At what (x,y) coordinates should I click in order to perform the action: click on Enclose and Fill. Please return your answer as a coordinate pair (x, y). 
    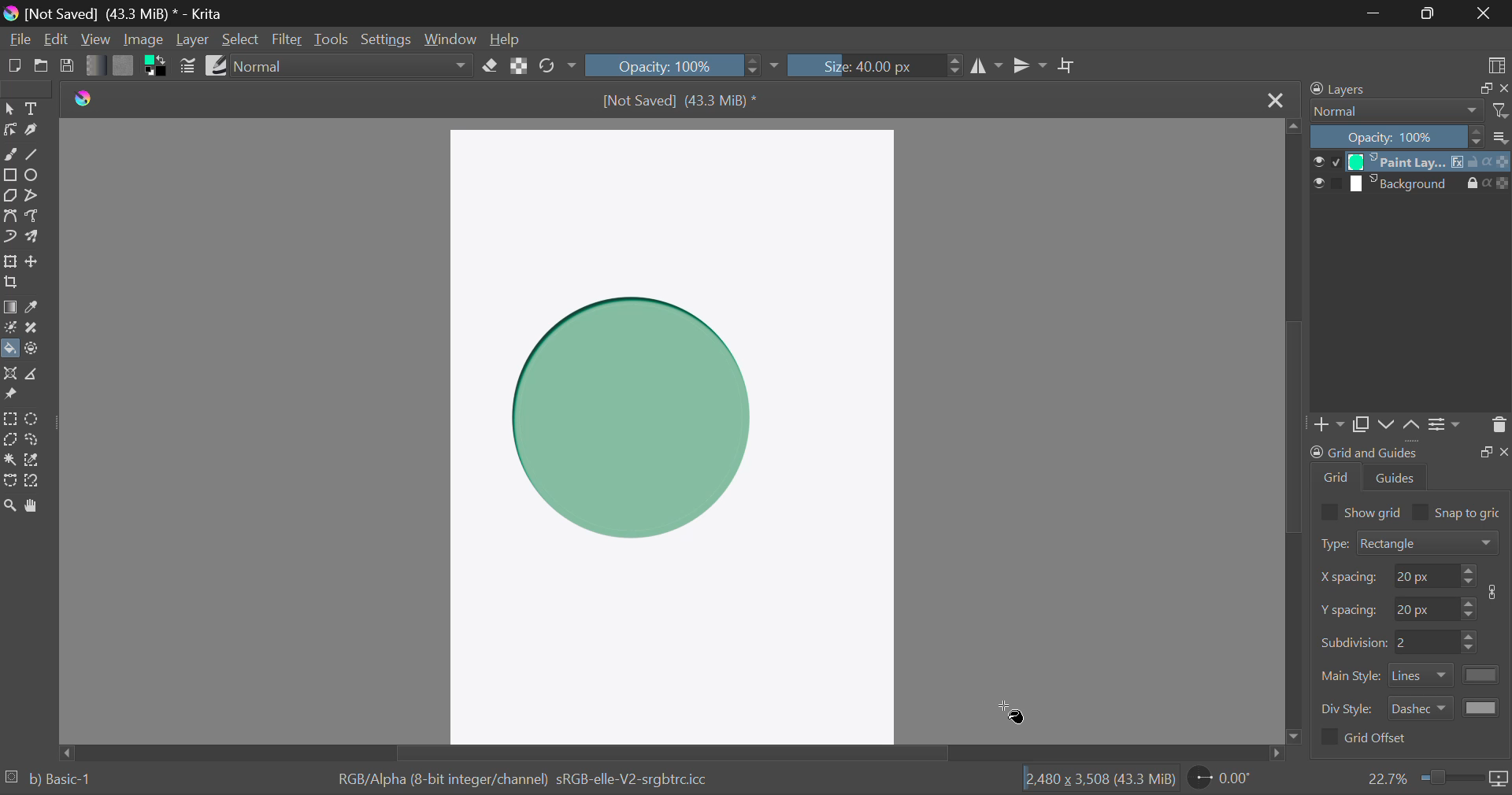
    Looking at the image, I should click on (34, 349).